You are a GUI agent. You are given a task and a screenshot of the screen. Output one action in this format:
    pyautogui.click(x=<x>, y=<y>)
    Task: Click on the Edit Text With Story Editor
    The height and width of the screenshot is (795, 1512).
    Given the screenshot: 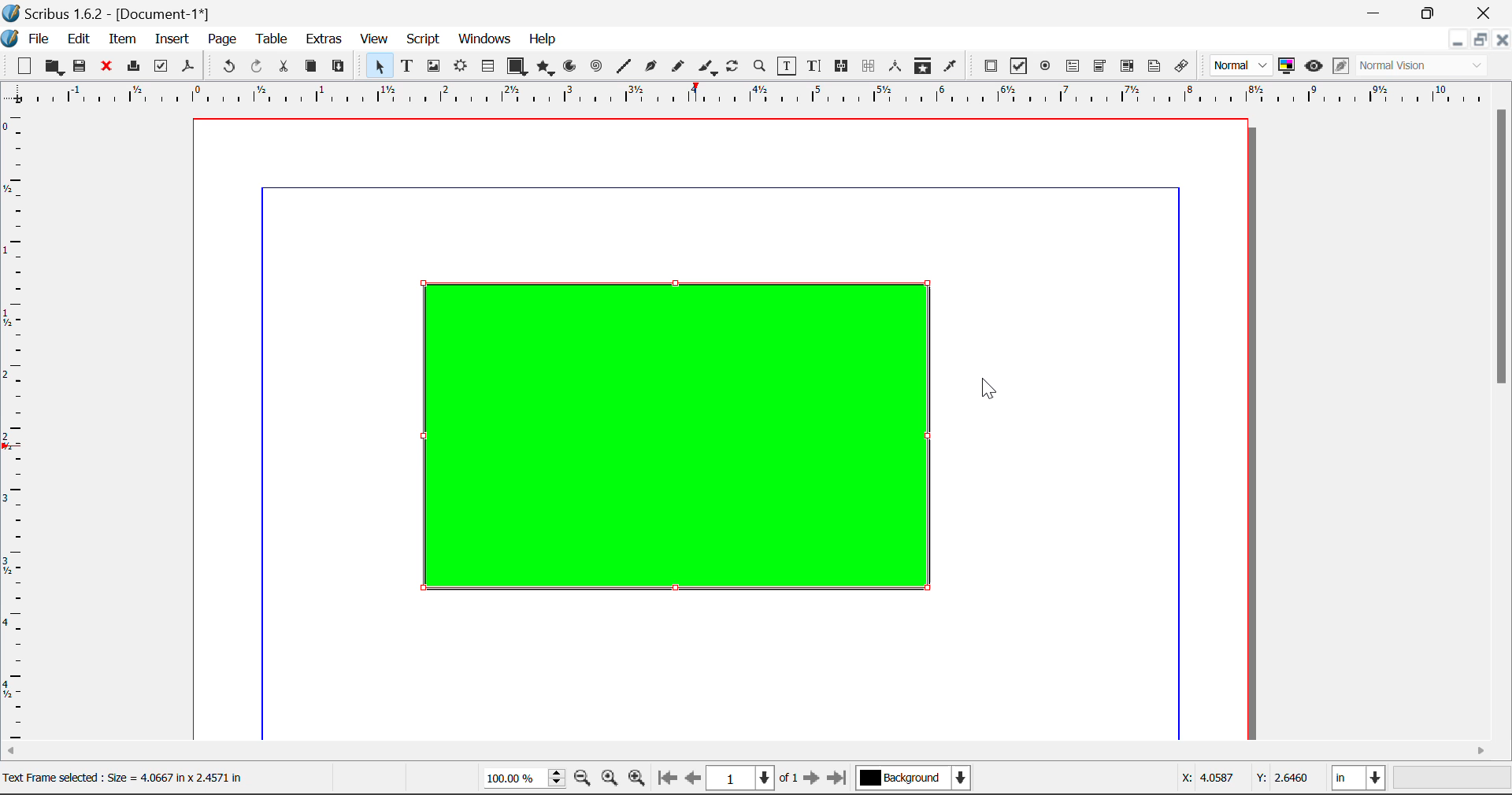 What is the action you would take?
    pyautogui.click(x=813, y=67)
    